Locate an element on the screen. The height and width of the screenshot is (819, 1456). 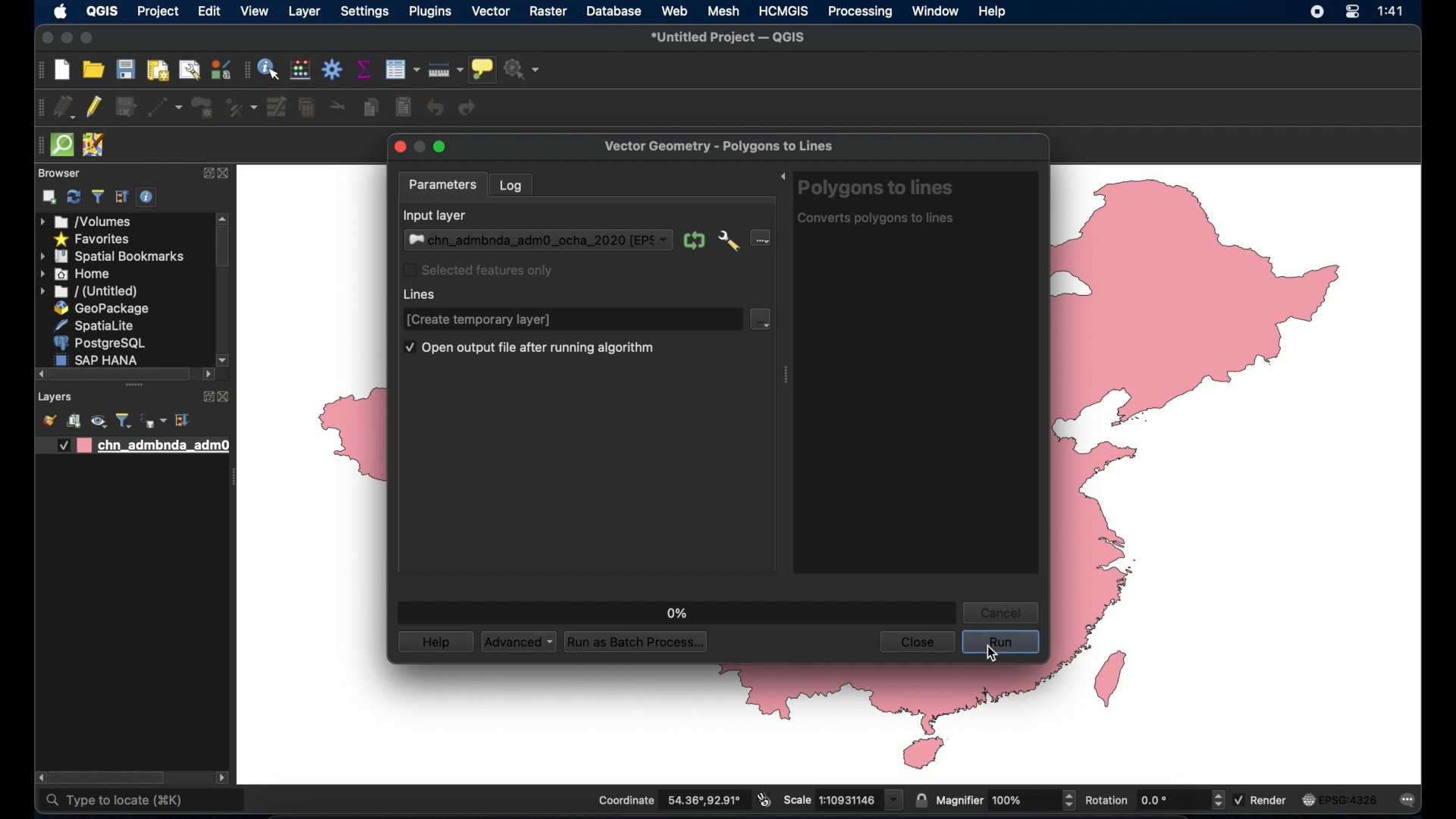
cut features is located at coordinates (337, 106).